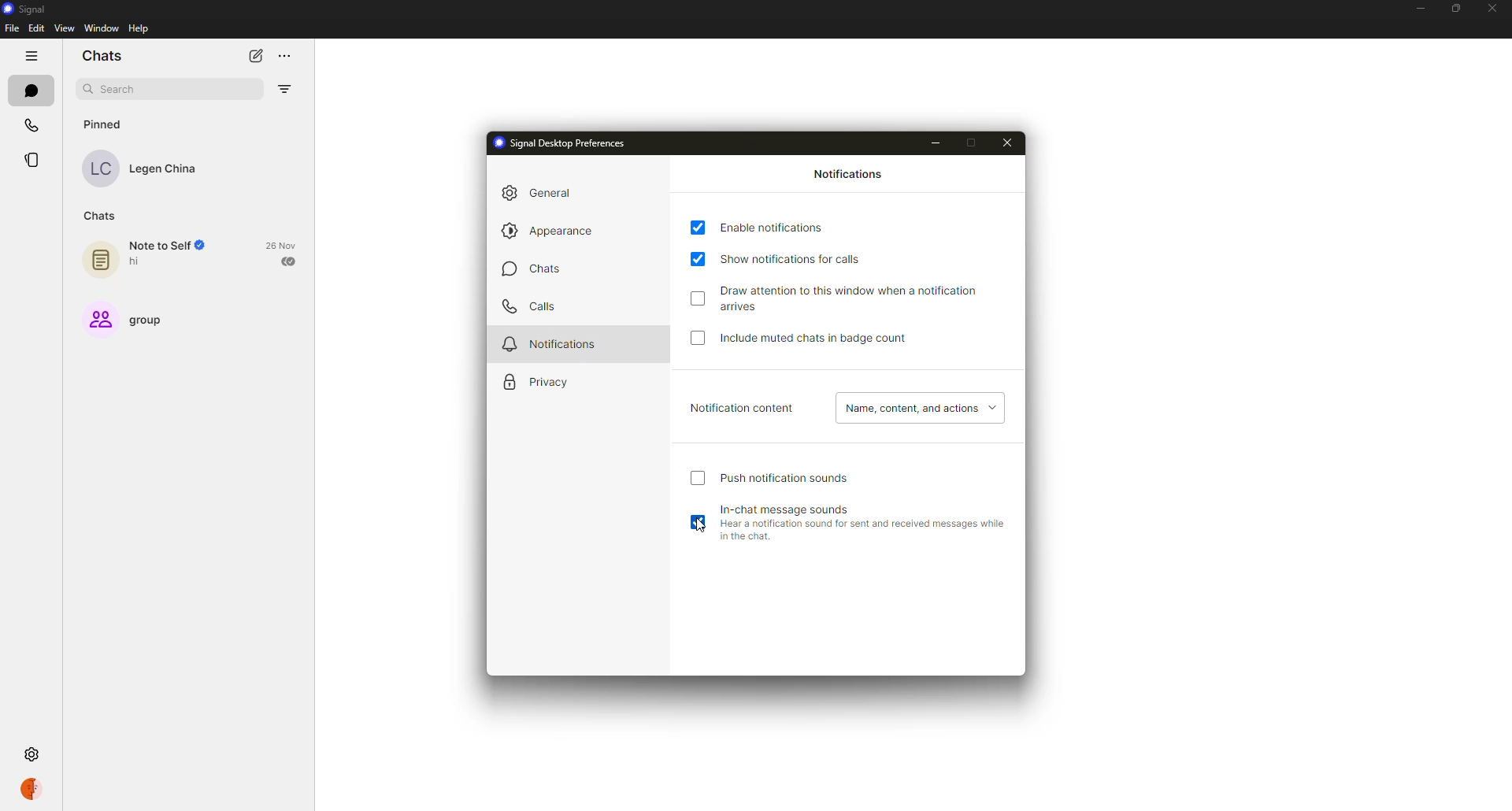  What do you see at coordinates (102, 753) in the screenshot?
I see `settings` at bounding box center [102, 753].